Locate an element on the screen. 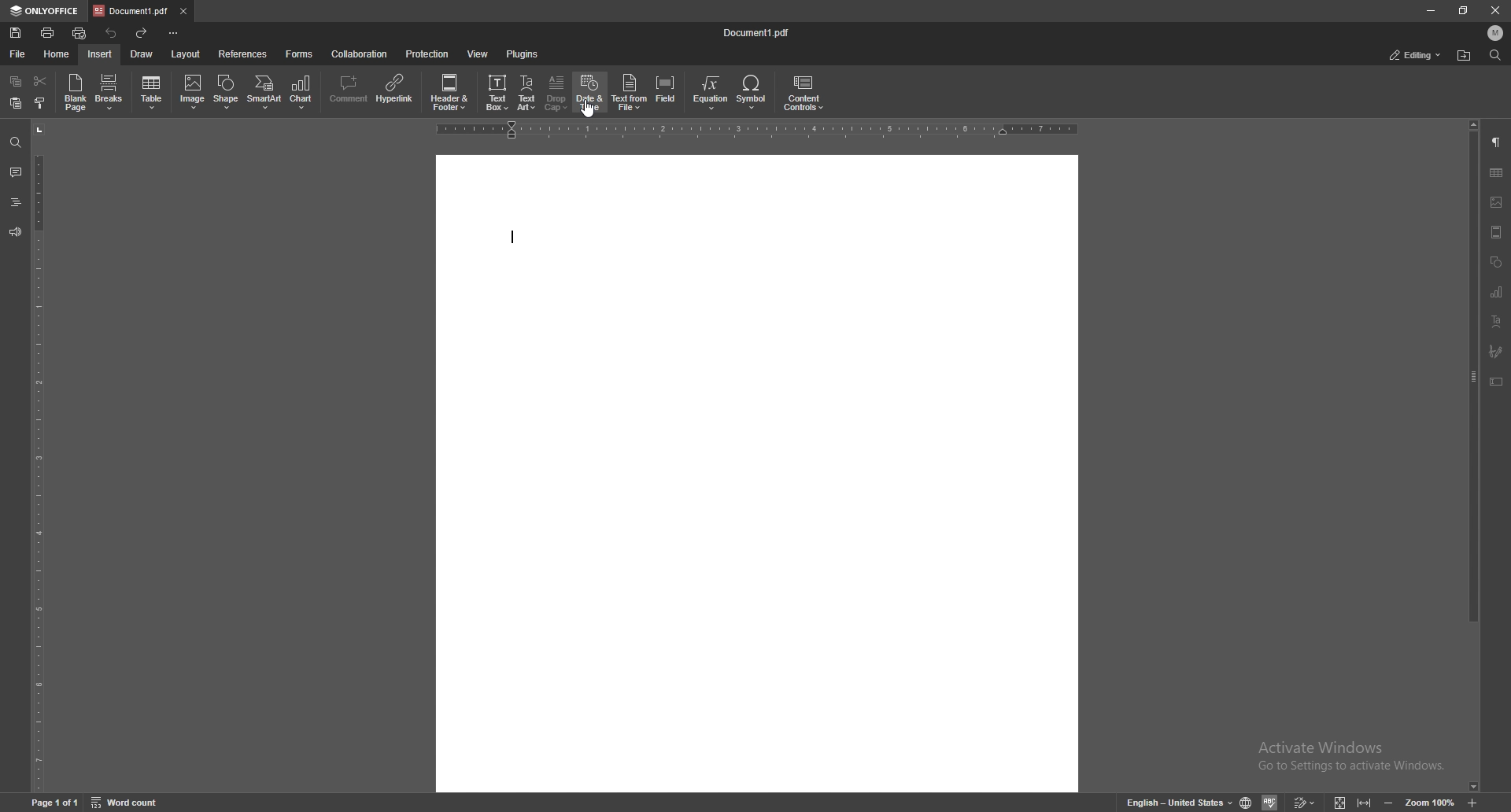 This screenshot has width=1511, height=812. paintbrush is located at coordinates (1498, 350).